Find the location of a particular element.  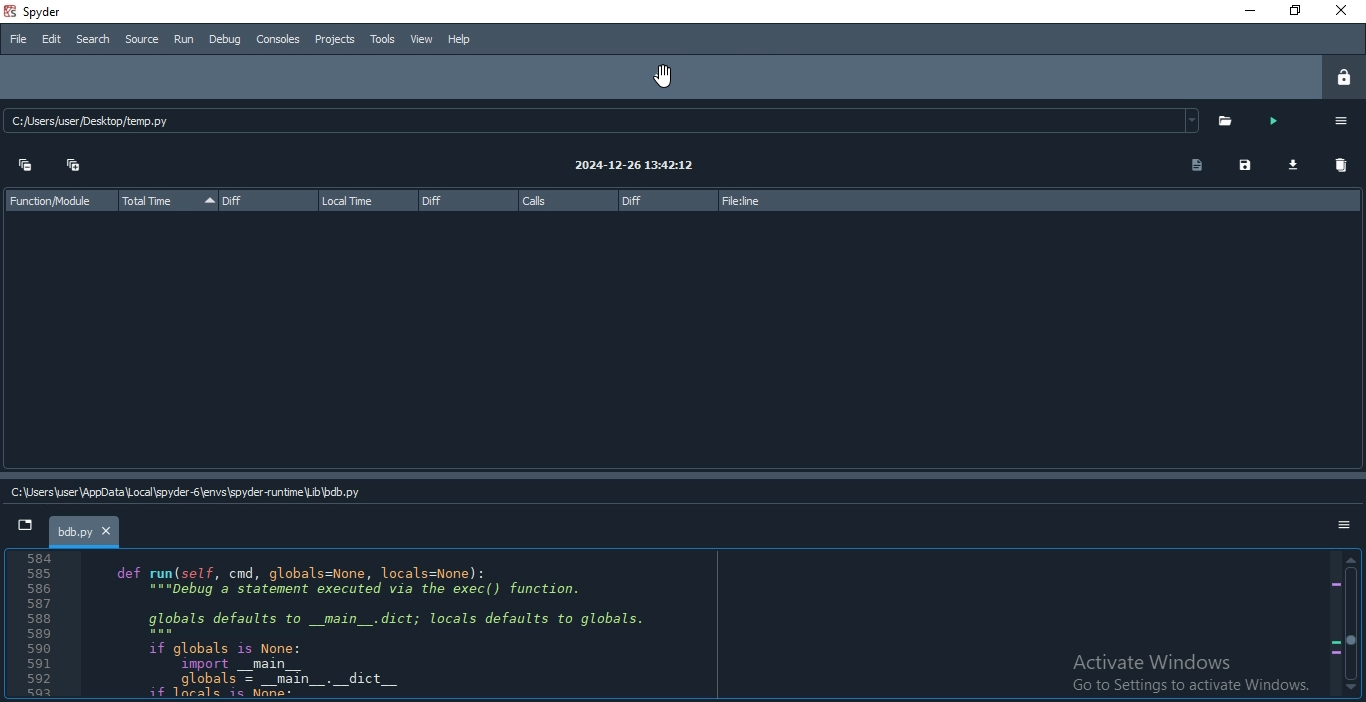

Debug is located at coordinates (224, 38).